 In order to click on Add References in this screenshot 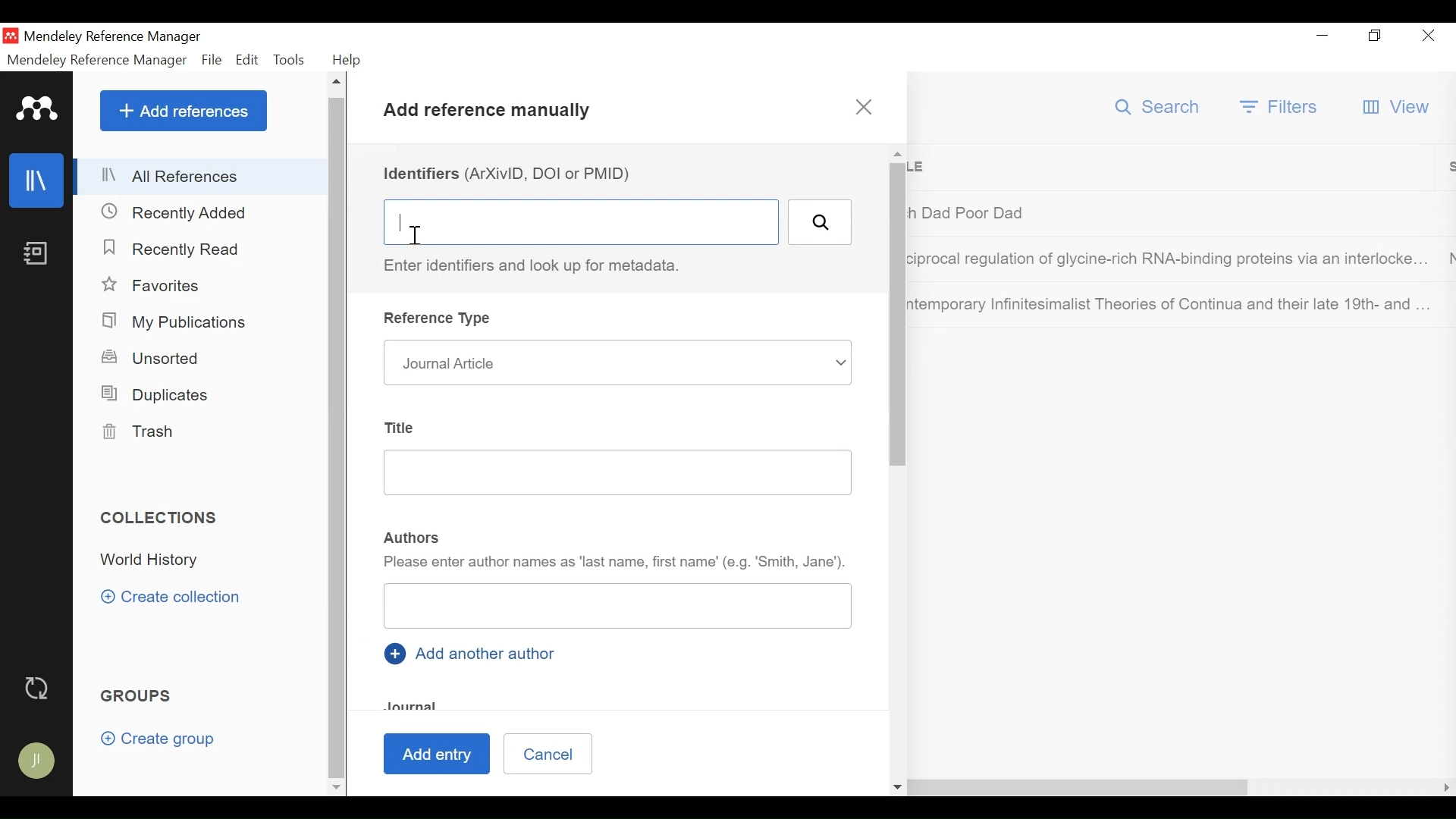, I will do `click(184, 110)`.